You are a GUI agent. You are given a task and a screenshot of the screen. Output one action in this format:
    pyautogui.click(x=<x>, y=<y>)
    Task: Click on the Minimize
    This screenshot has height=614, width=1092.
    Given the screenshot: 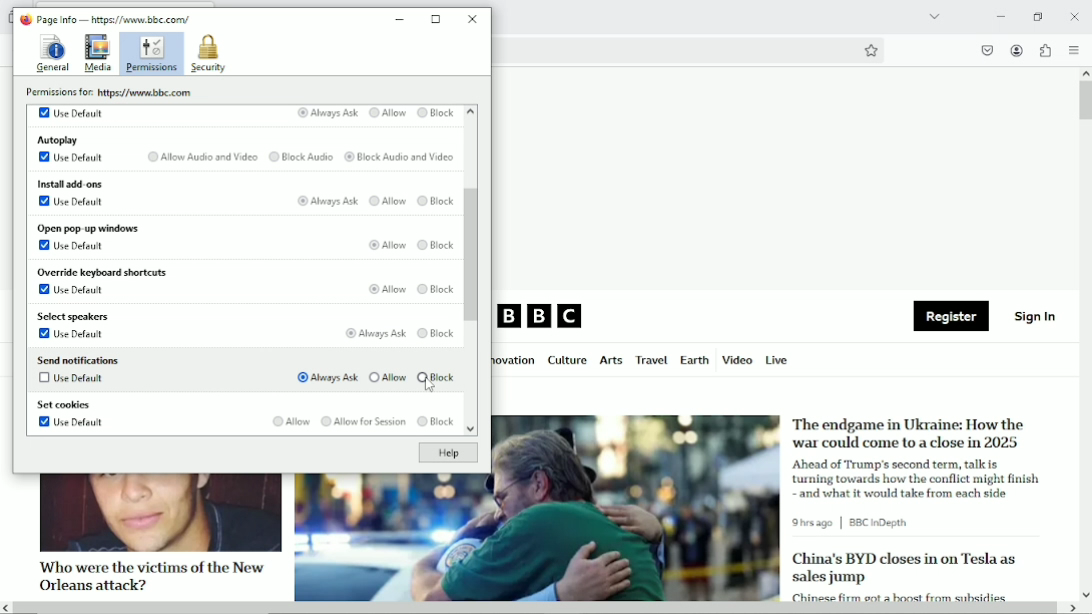 What is the action you would take?
    pyautogui.click(x=999, y=16)
    